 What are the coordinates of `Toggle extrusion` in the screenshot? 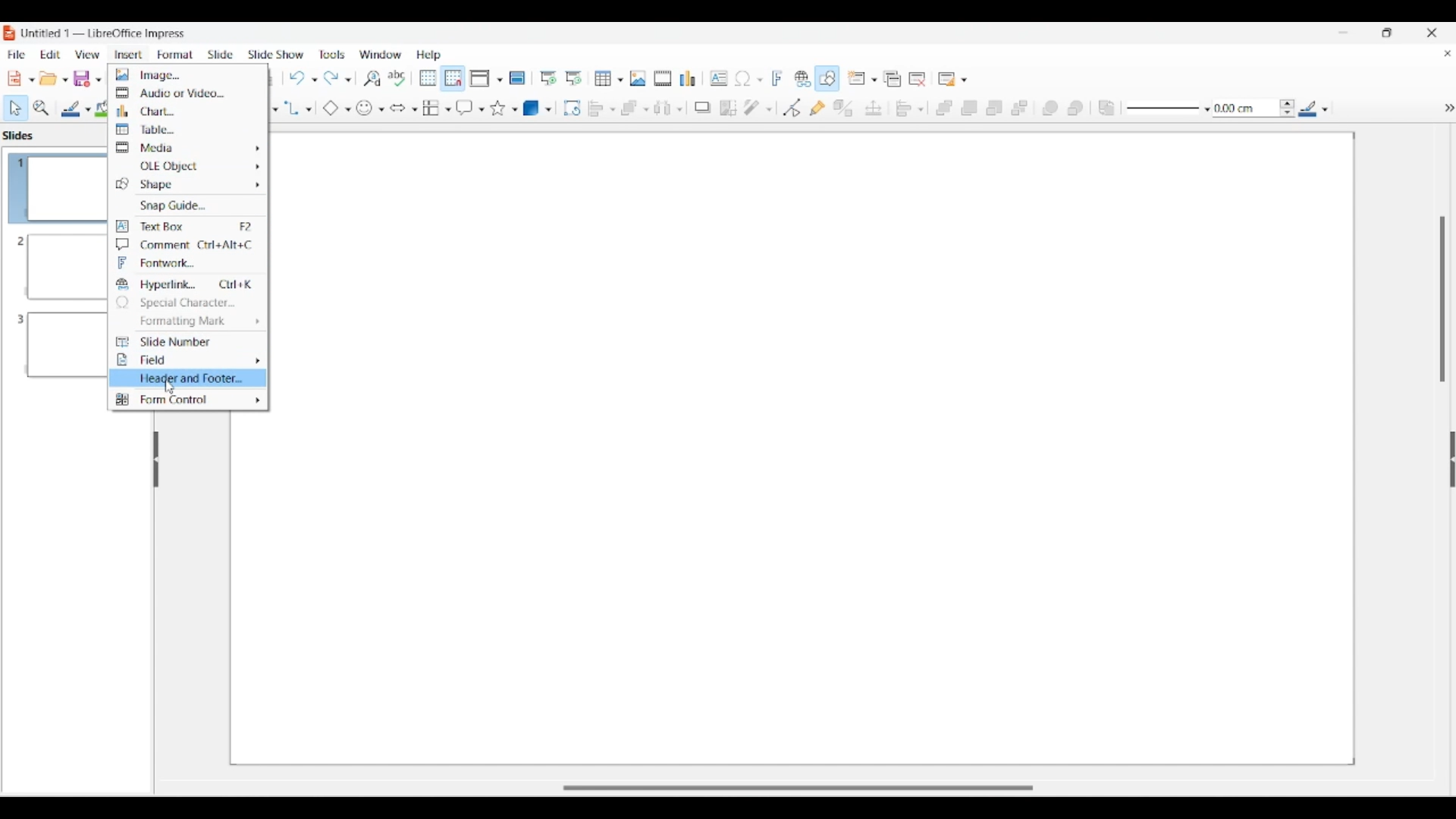 It's located at (844, 108).